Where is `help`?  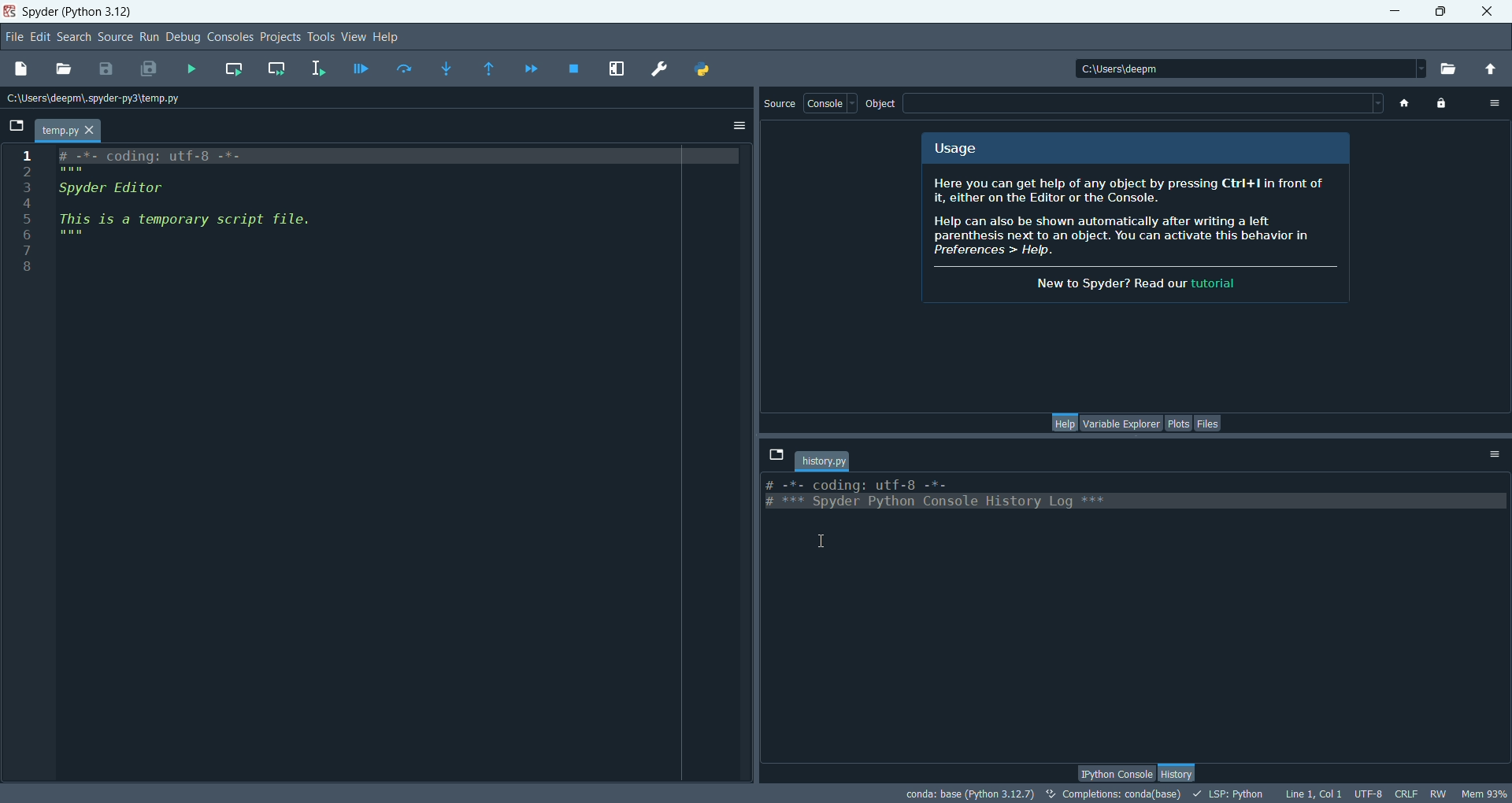
help is located at coordinates (1064, 423).